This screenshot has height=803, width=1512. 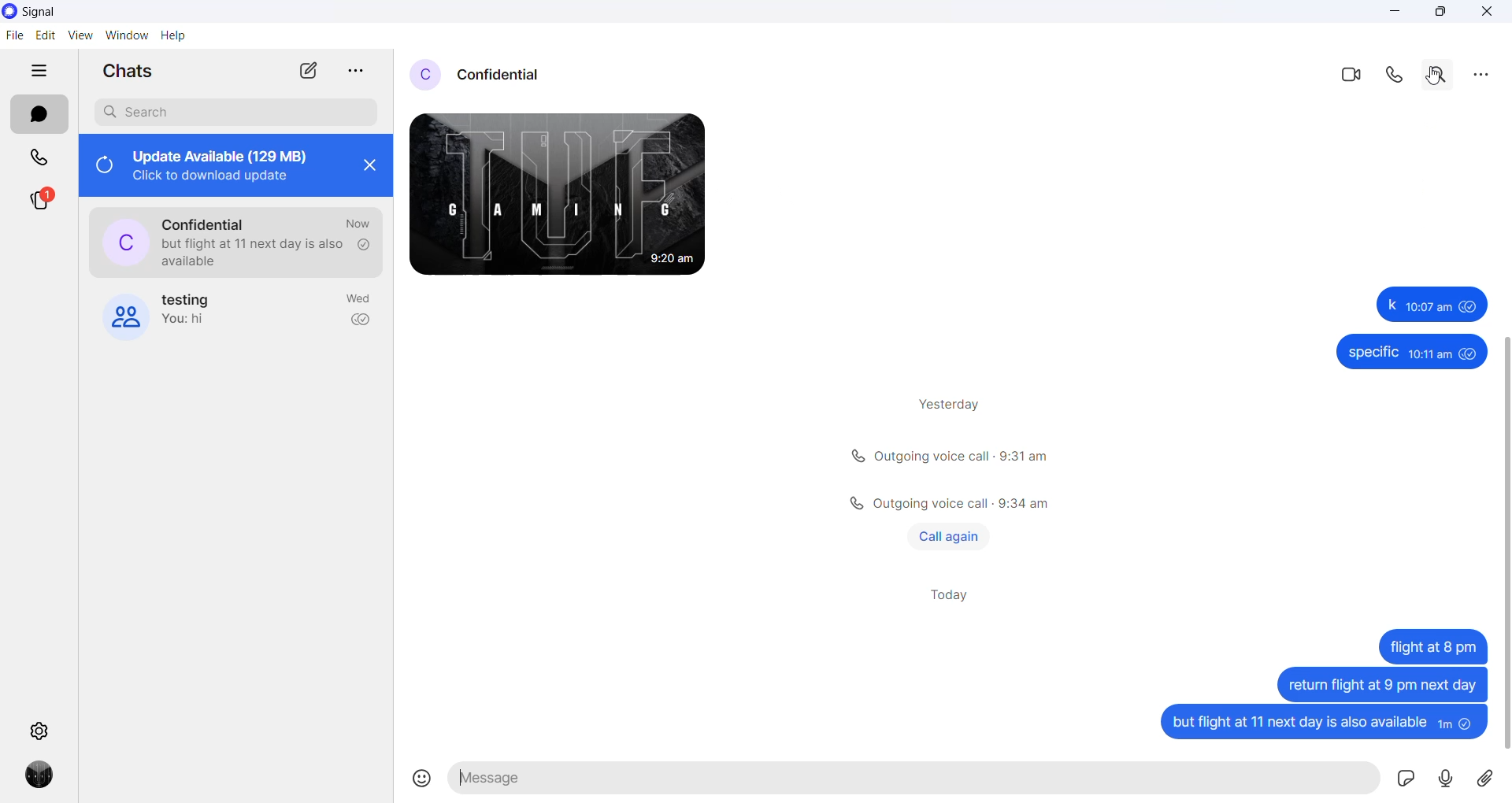 I want to click on search chat, so click(x=235, y=112).